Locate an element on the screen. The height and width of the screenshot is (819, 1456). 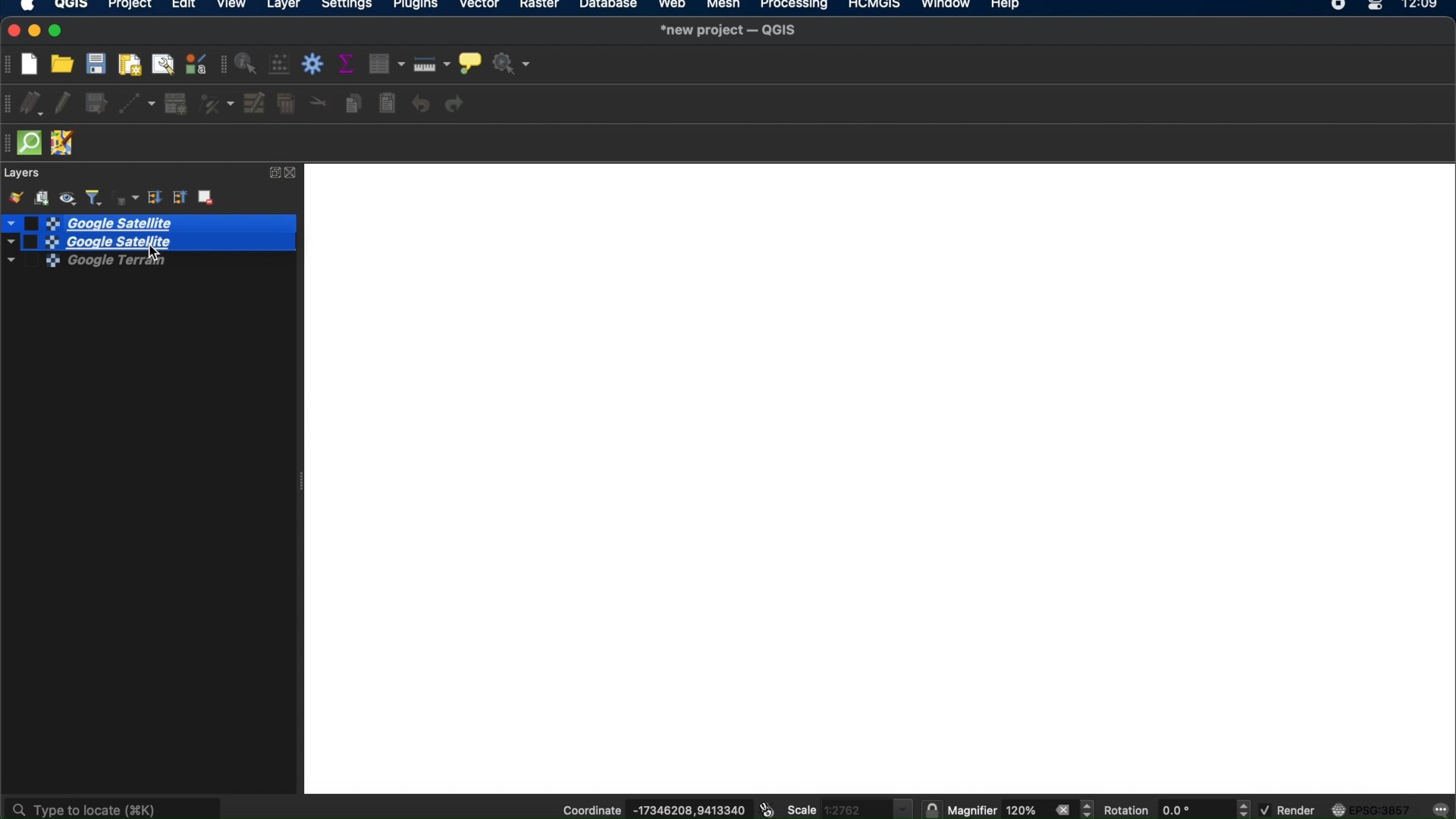
rotation is located at coordinates (1244, 809).